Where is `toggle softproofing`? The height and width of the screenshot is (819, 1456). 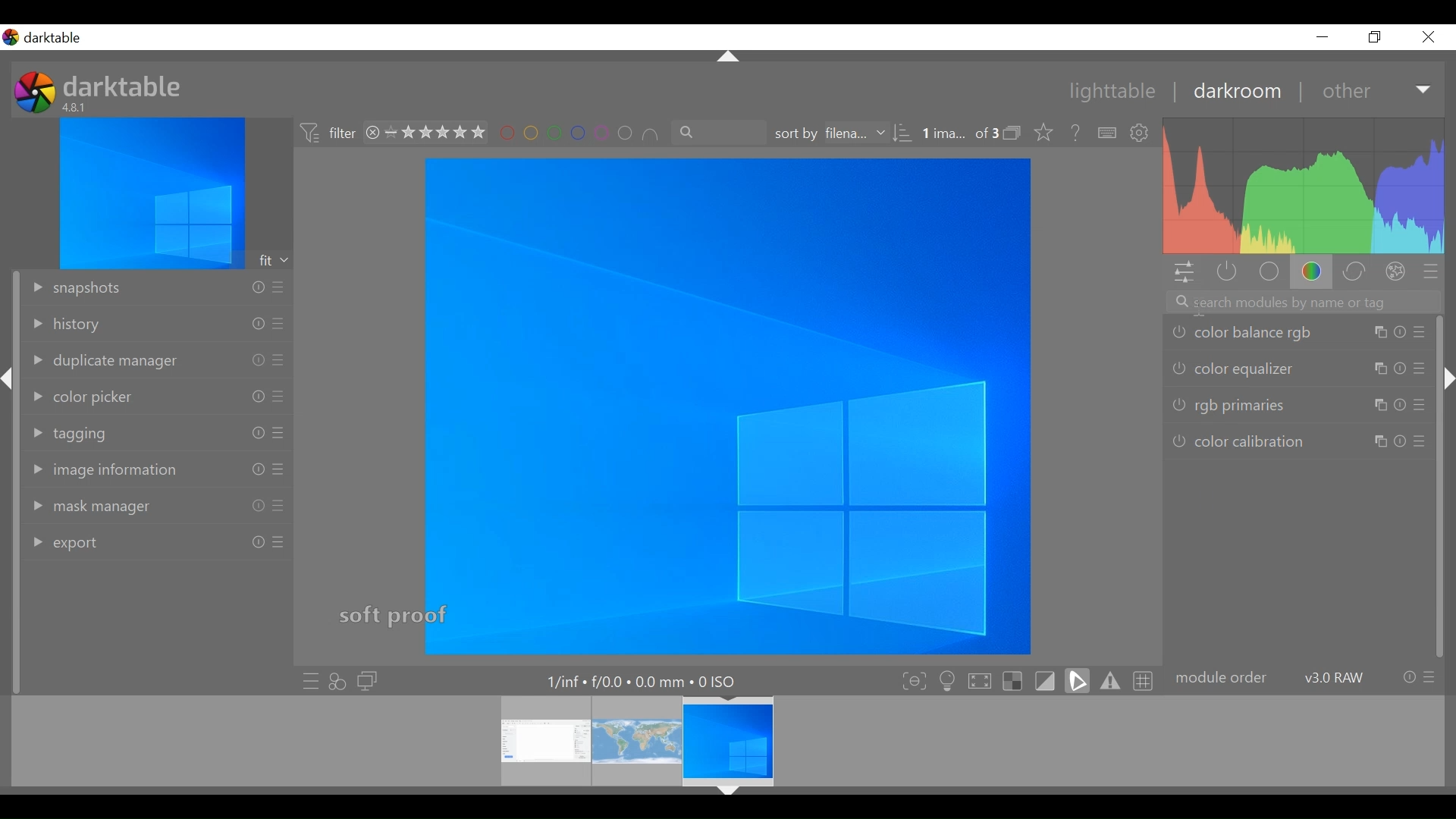
toggle softproofing is located at coordinates (1045, 679).